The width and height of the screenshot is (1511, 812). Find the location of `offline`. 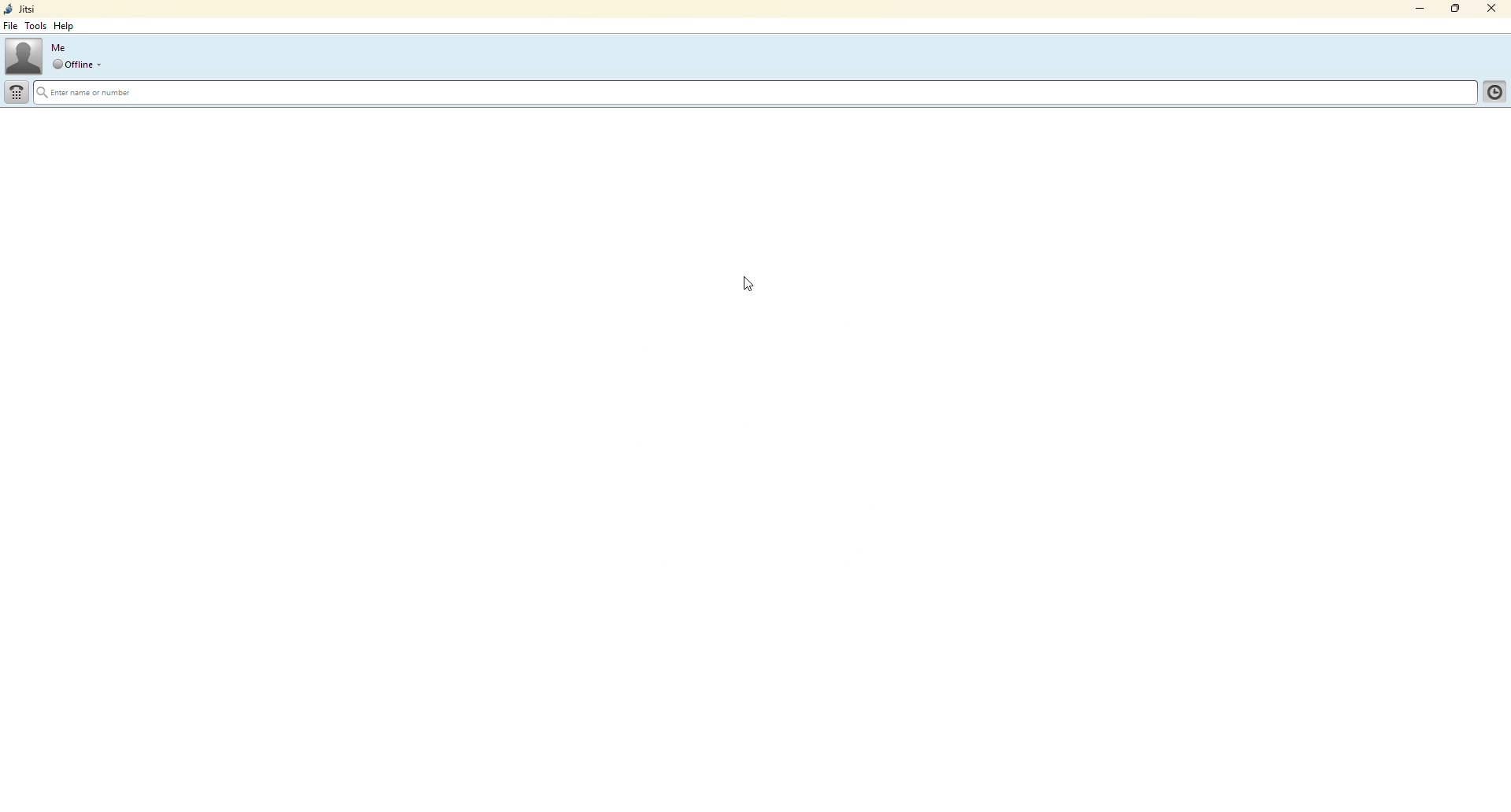

offline is located at coordinates (72, 65).